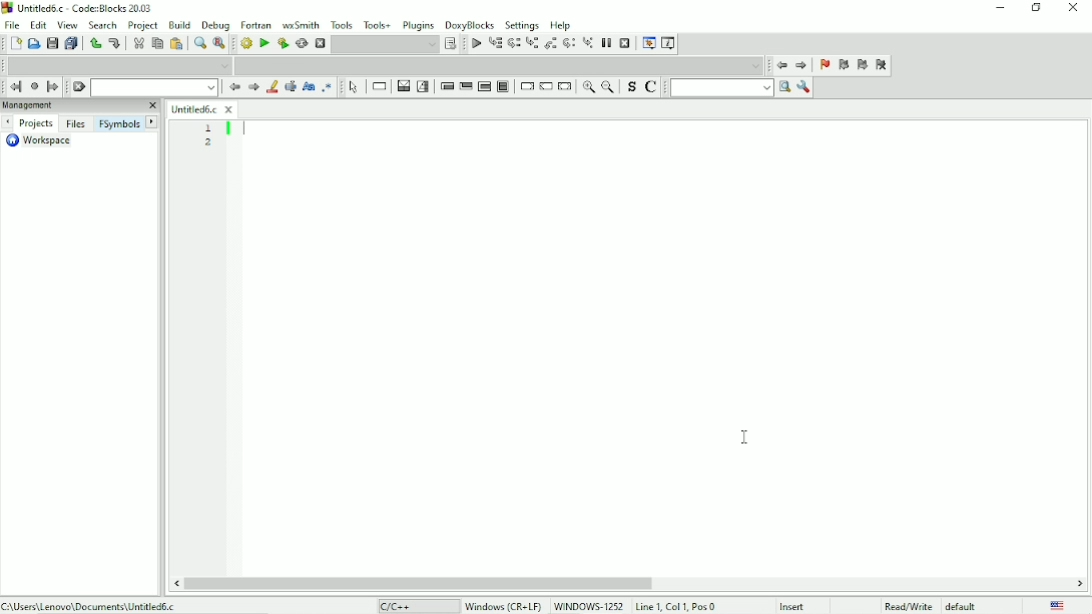 The image size is (1092, 614). Describe the element at coordinates (562, 24) in the screenshot. I see `Help` at that location.